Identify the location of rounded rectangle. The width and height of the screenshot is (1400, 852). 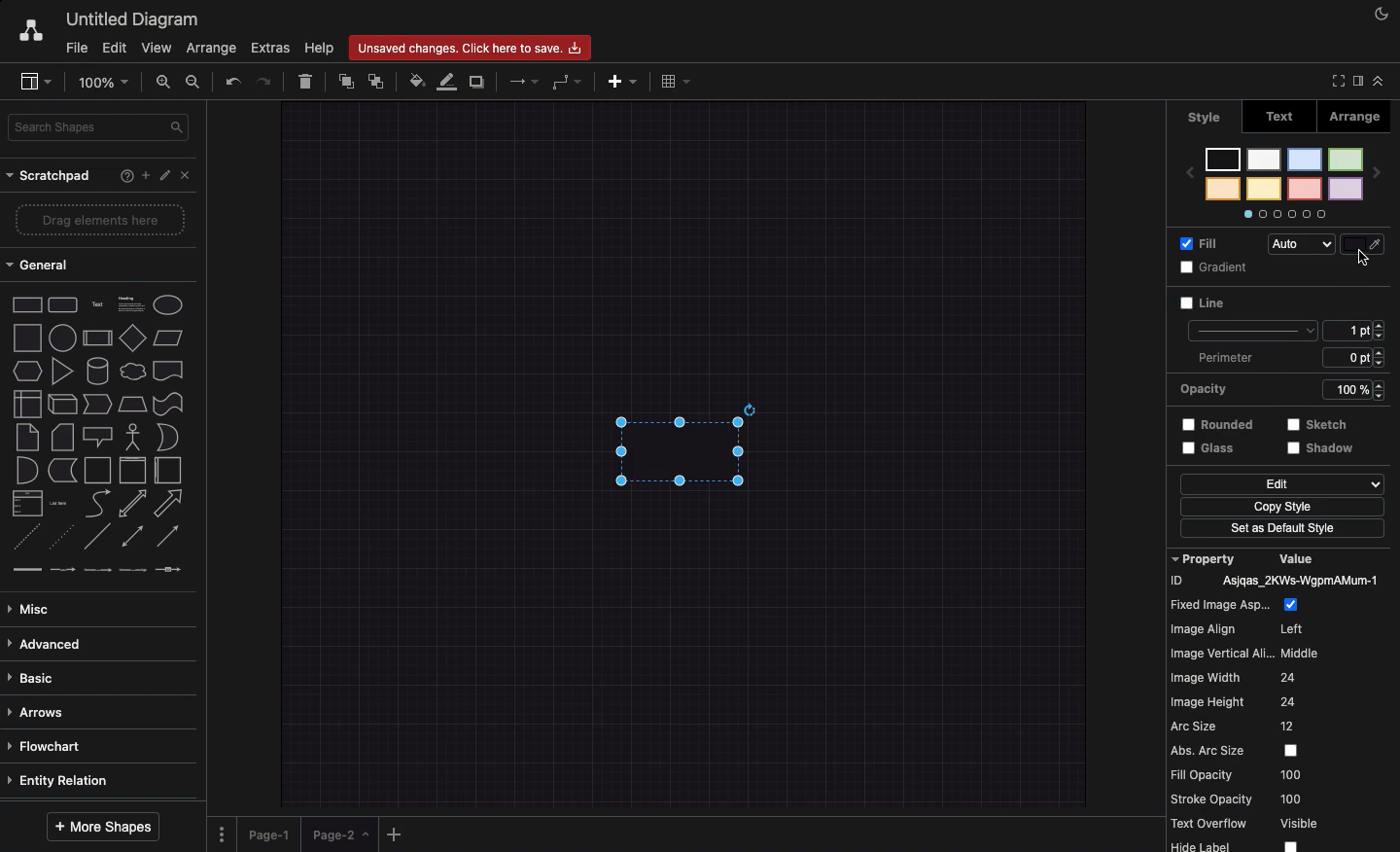
(61, 302).